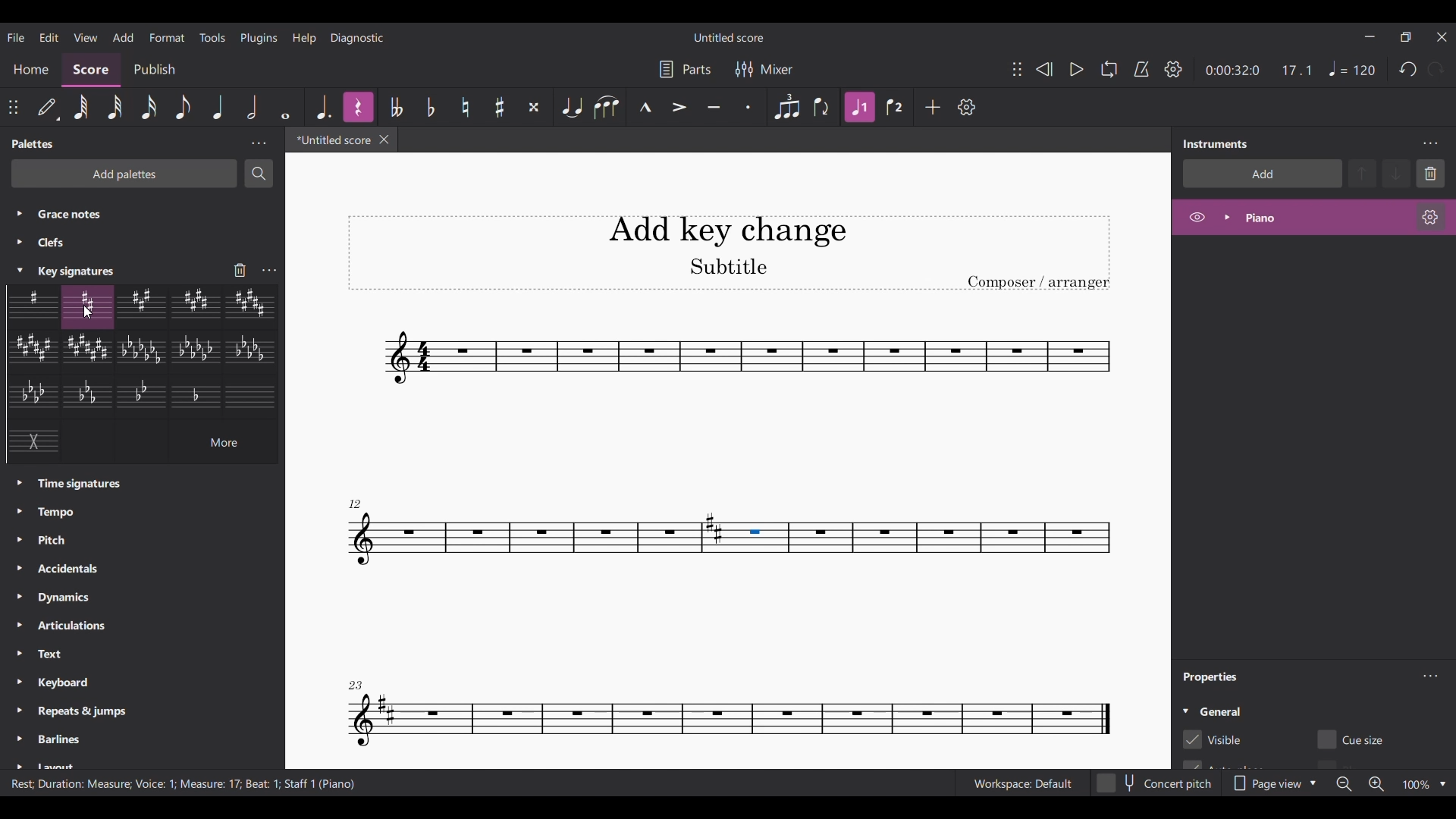 This screenshot has width=1456, height=819. What do you see at coordinates (384, 139) in the screenshot?
I see `Close current score` at bounding box center [384, 139].